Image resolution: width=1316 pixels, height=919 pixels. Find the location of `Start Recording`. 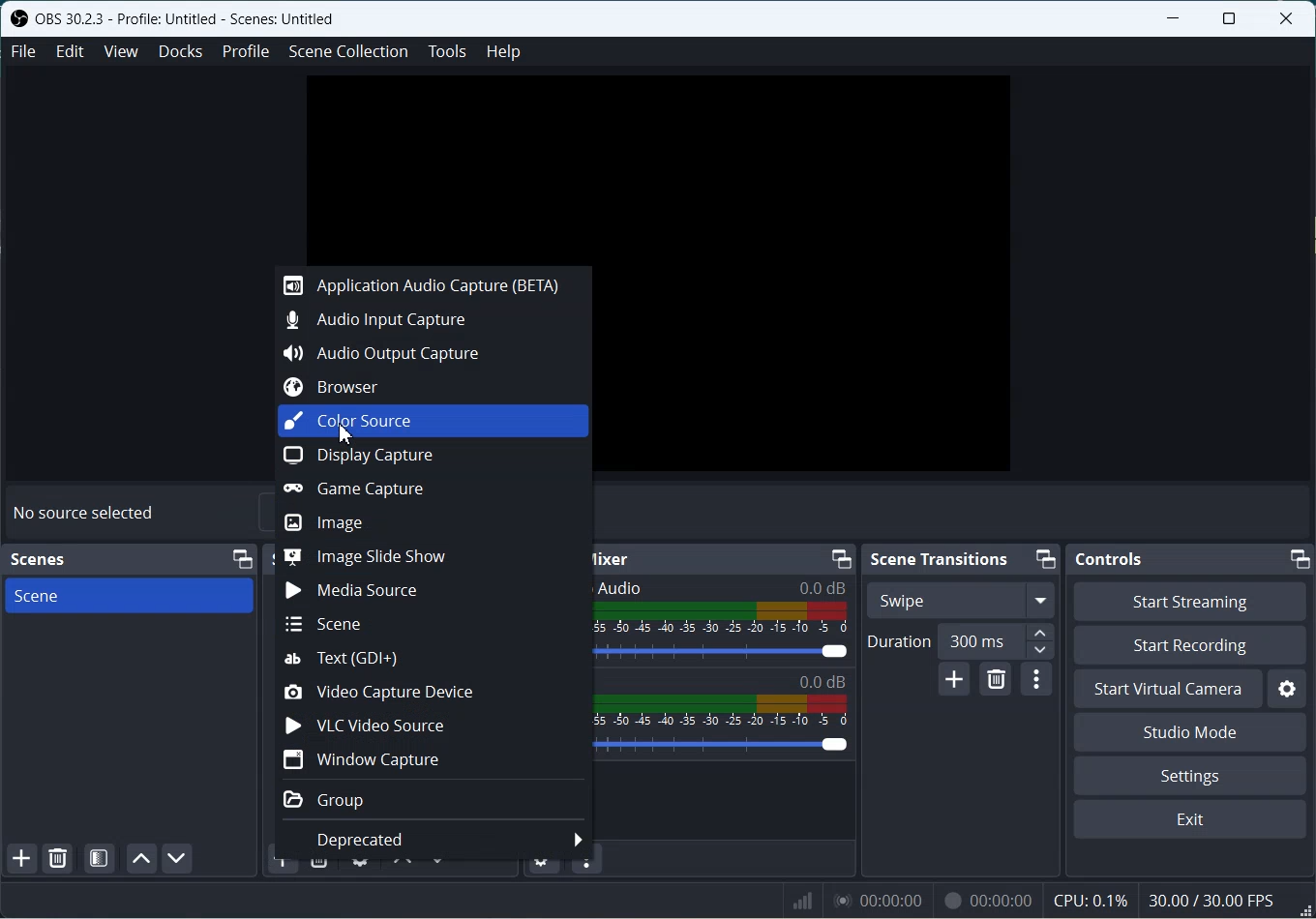

Start Recording is located at coordinates (1189, 645).